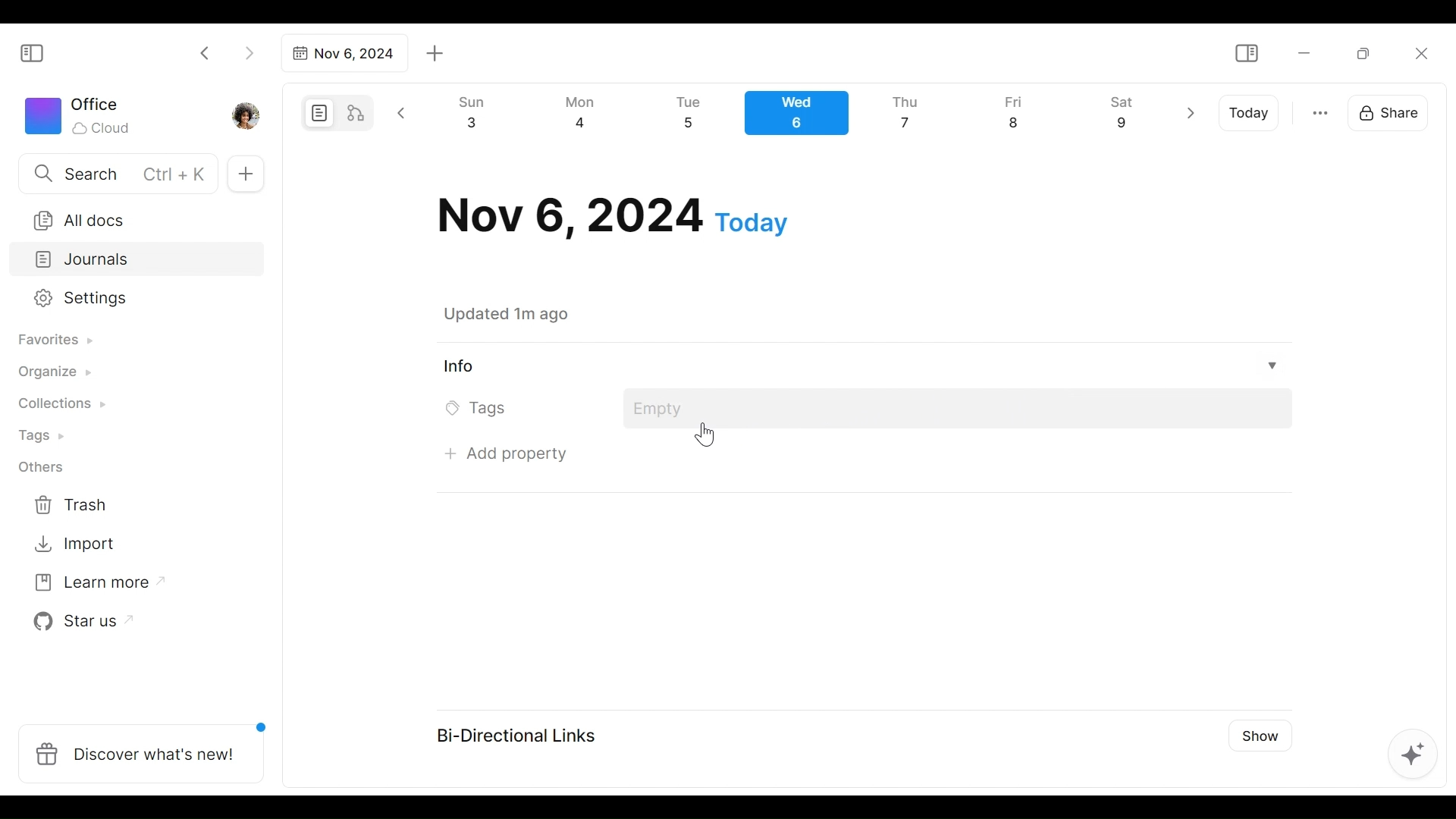  What do you see at coordinates (357, 112) in the screenshot?
I see `Edgeless mode` at bounding box center [357, 112].